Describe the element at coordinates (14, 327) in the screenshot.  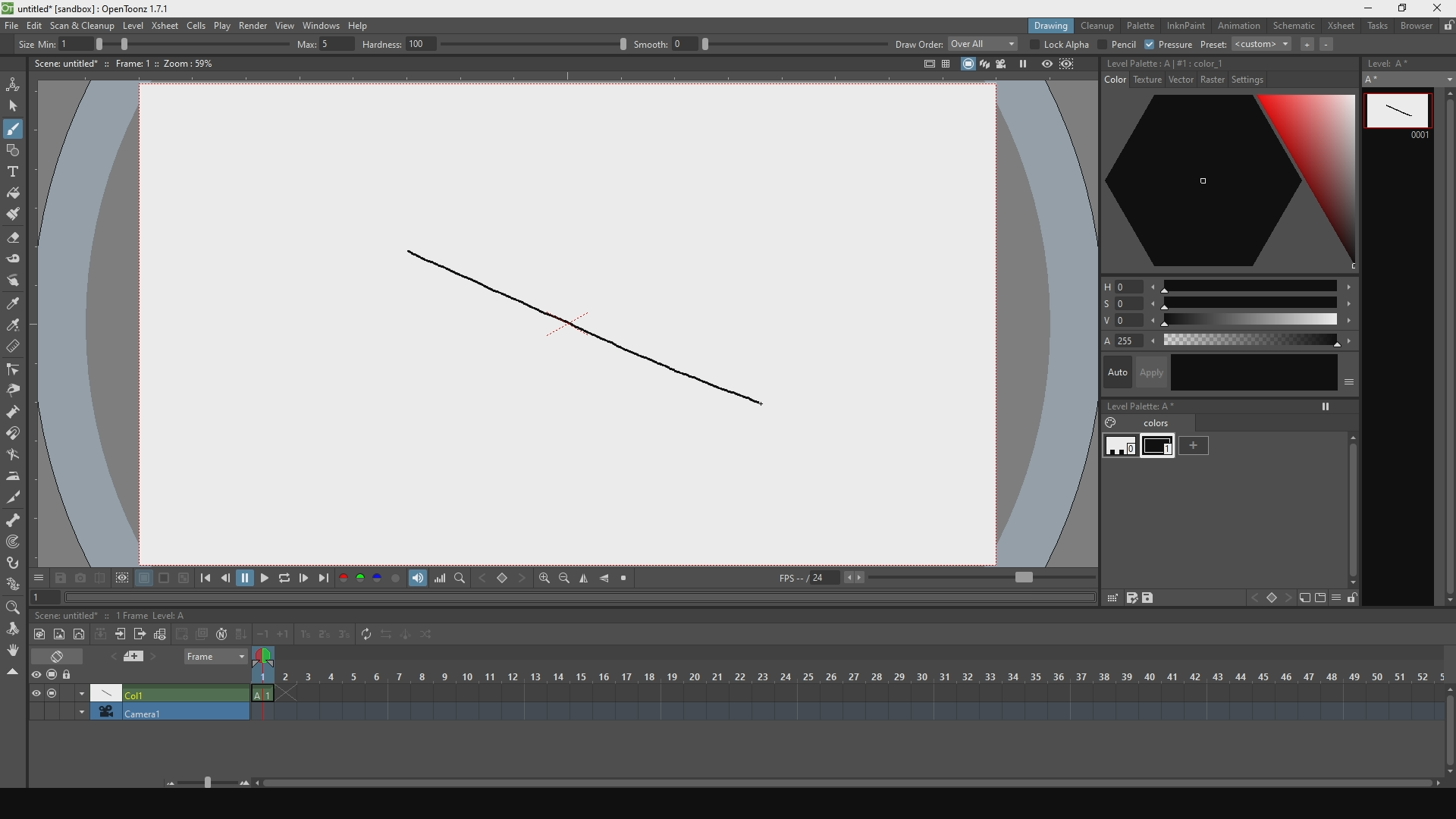
I see `color select` at that location.